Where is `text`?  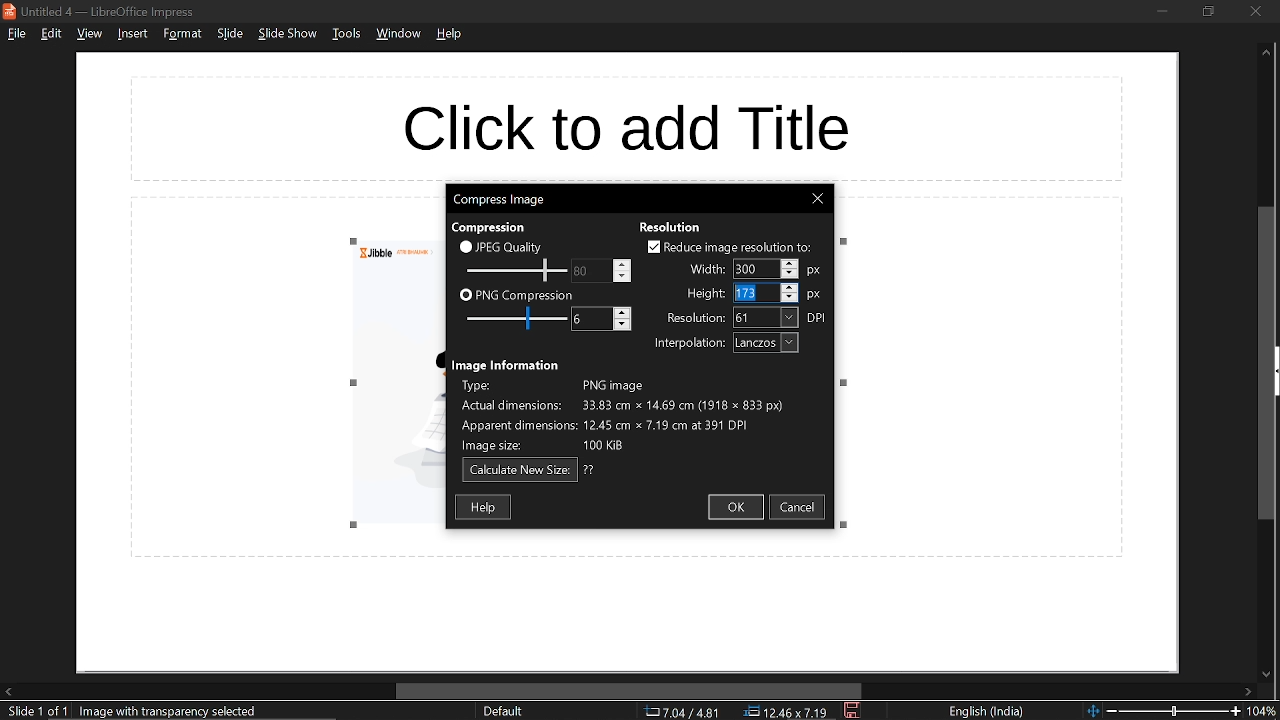
text is located at coordinates (695, 317).